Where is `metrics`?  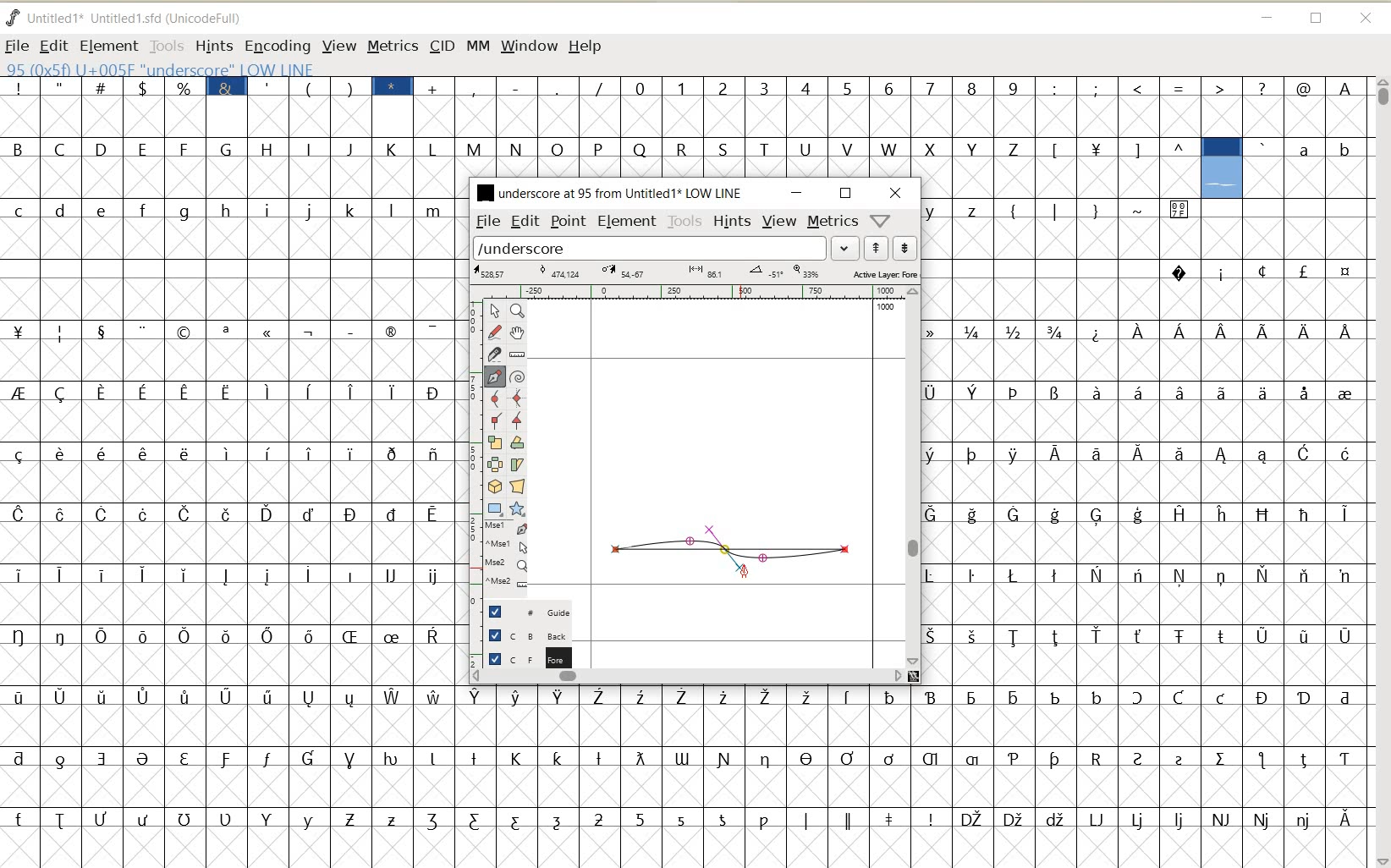 metrics is located at coordinates (832, 220).